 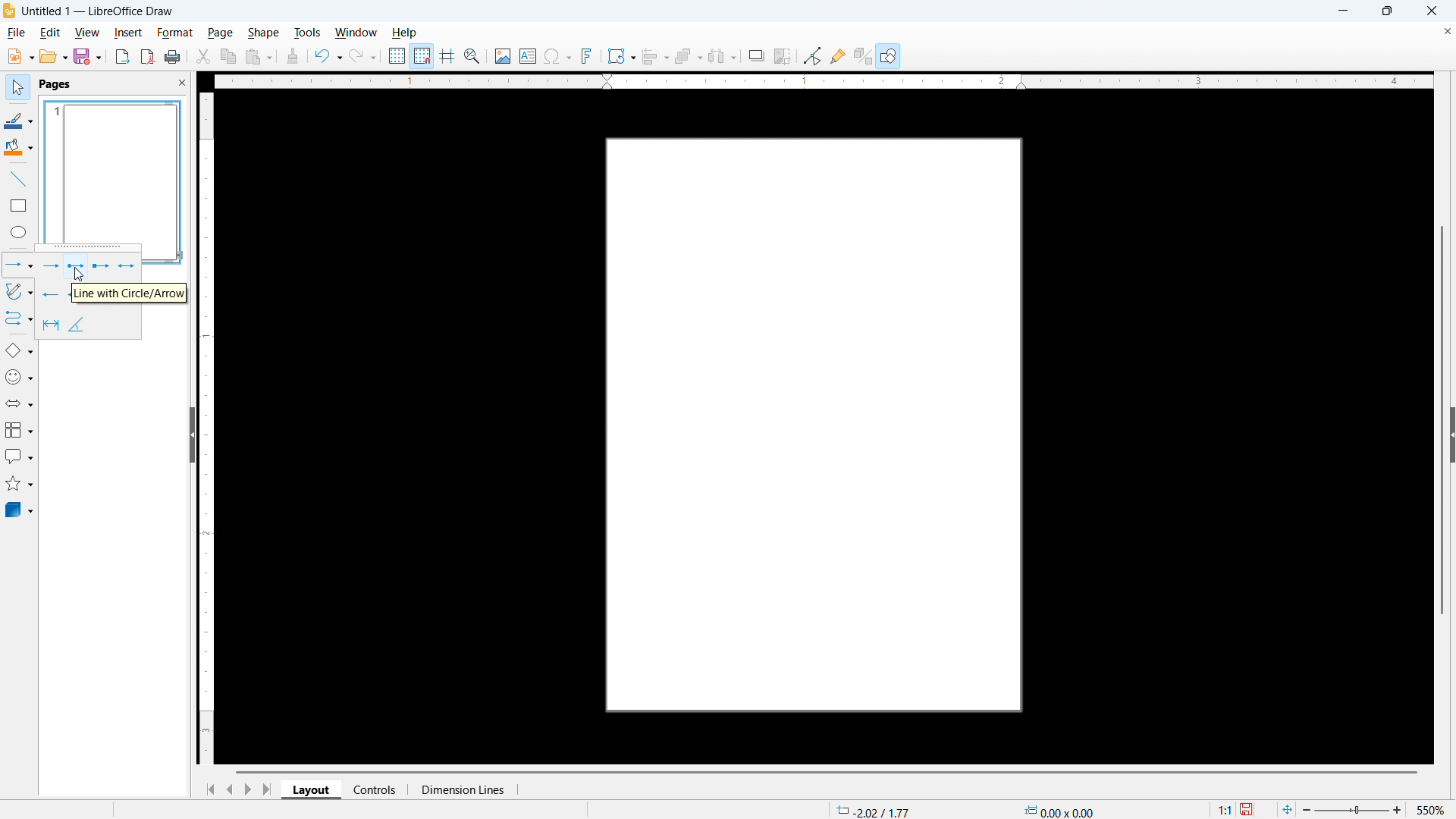 What do you see at coordinates (88, 33) in the screenshot?
I see `View ` at bounding box center [88, 33].